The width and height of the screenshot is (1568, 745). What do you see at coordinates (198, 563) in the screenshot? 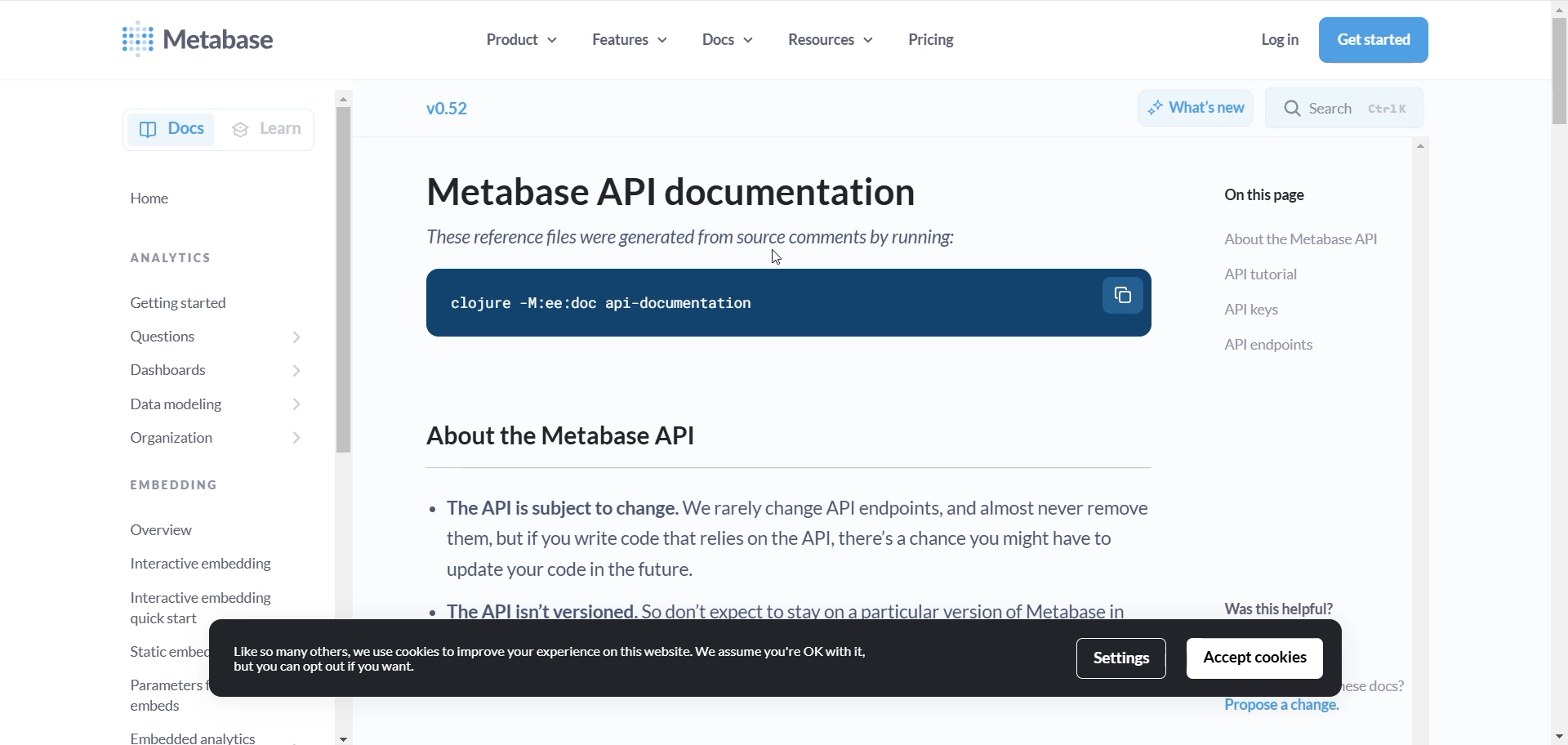
I see `interactive embedding` at bounding box center [198, 563].